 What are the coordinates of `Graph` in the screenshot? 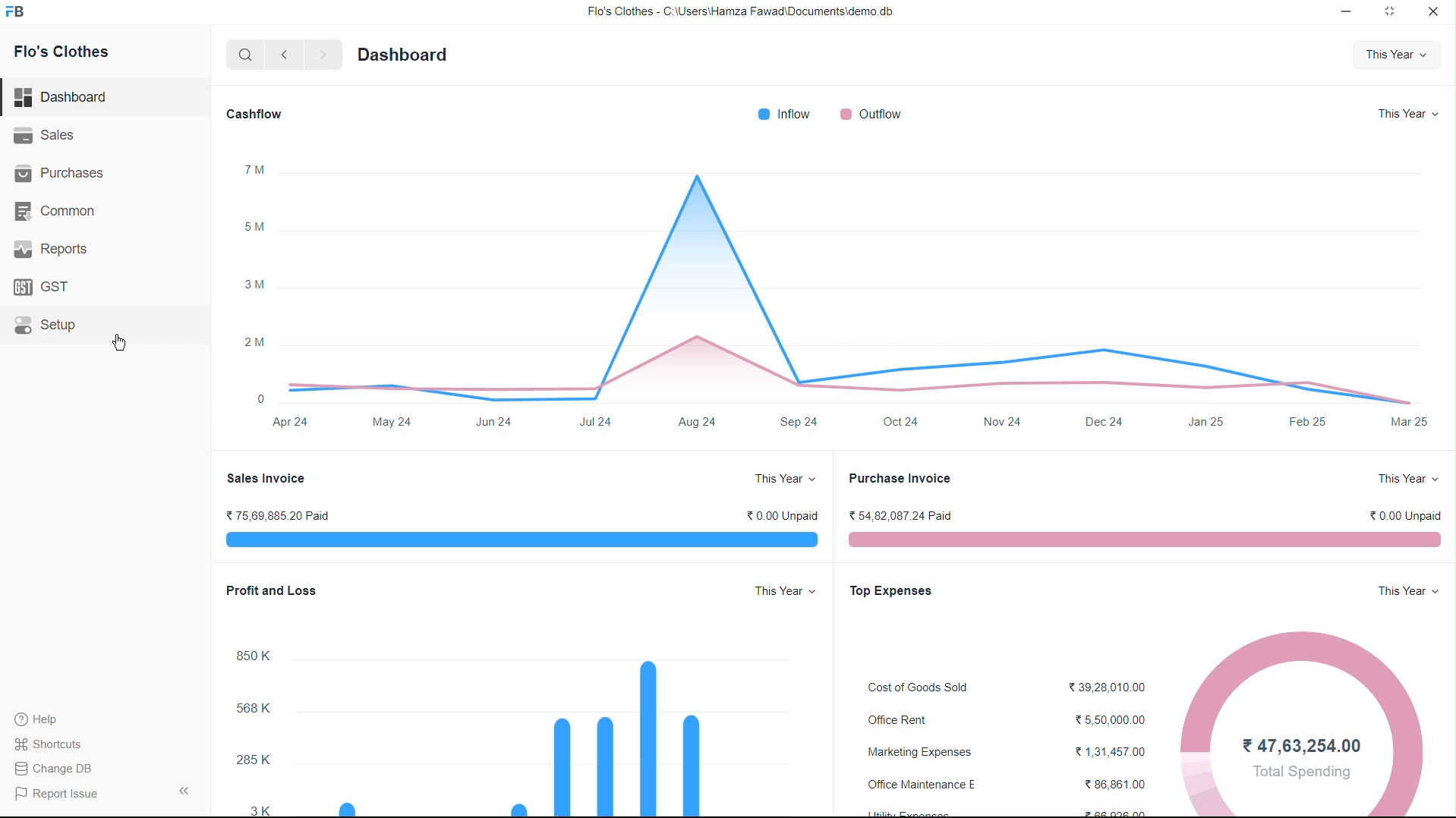 It's located at (1147, 541).